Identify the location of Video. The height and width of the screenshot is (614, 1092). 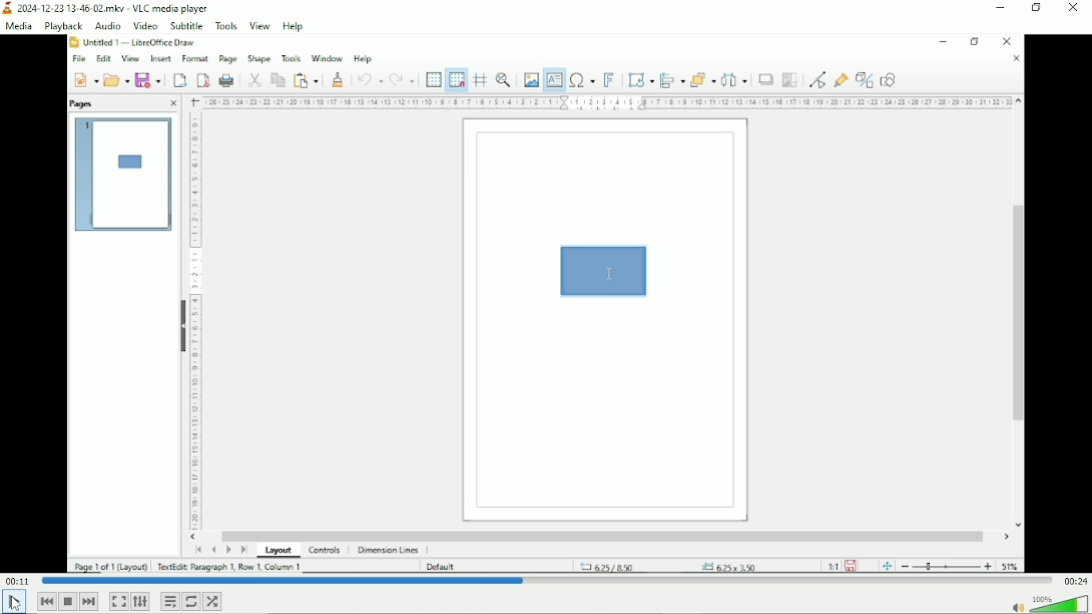
(145, 25).